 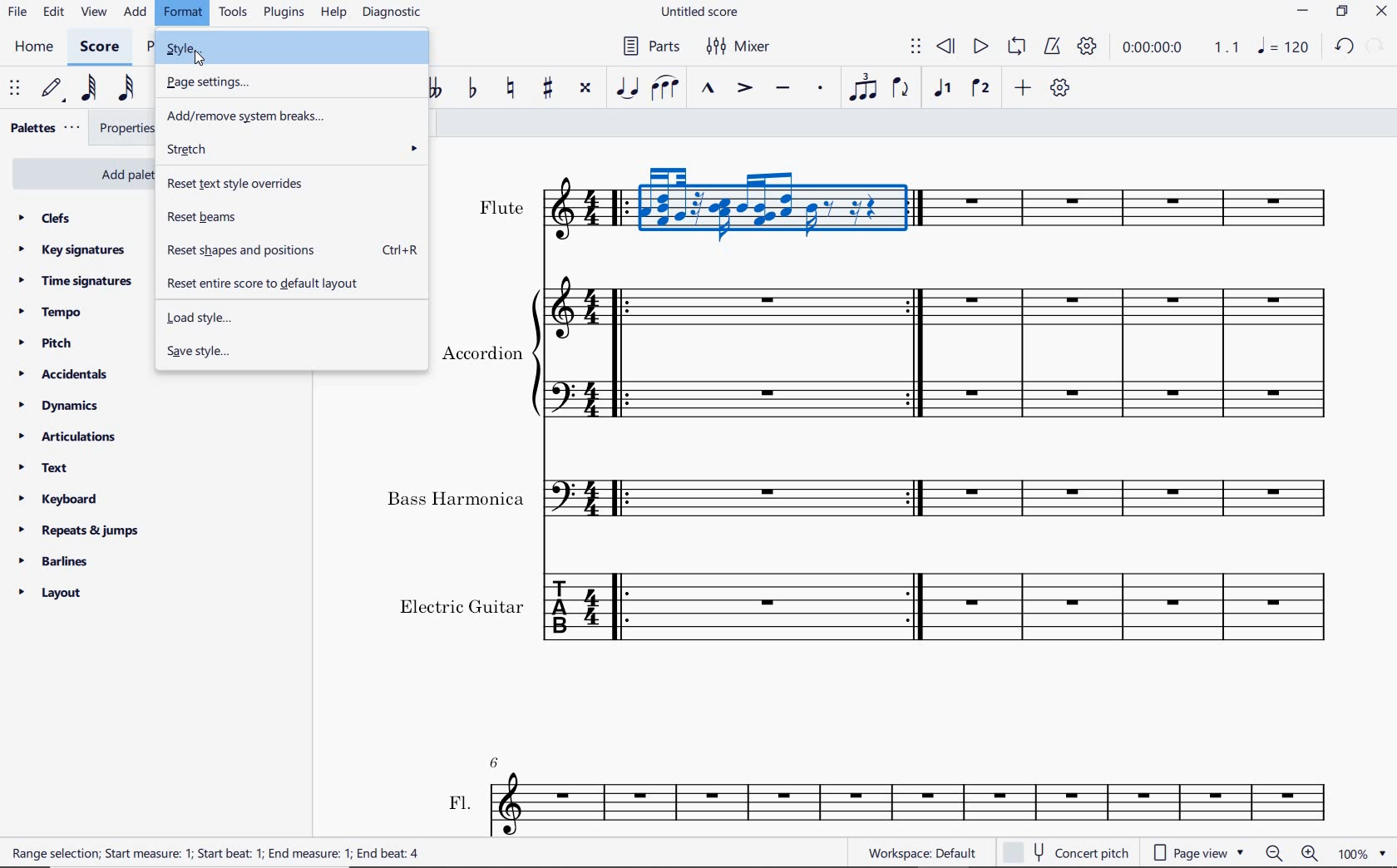 What do you see at coordinates (1066, 851) in the screenshot?
I see `concert pitch` at bounding box center [1066, 851].